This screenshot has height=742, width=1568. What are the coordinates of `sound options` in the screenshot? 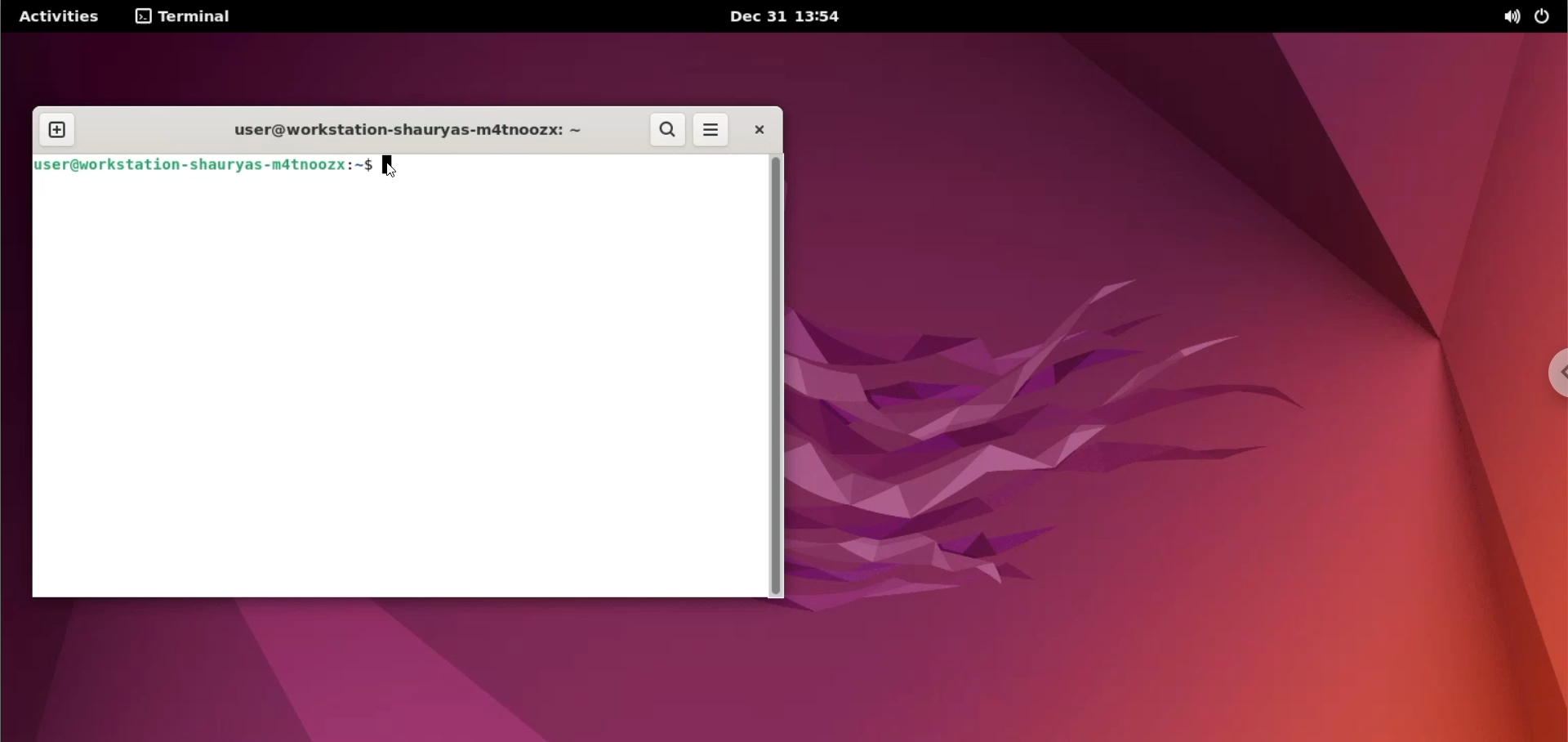 It's located at (1508, 17).